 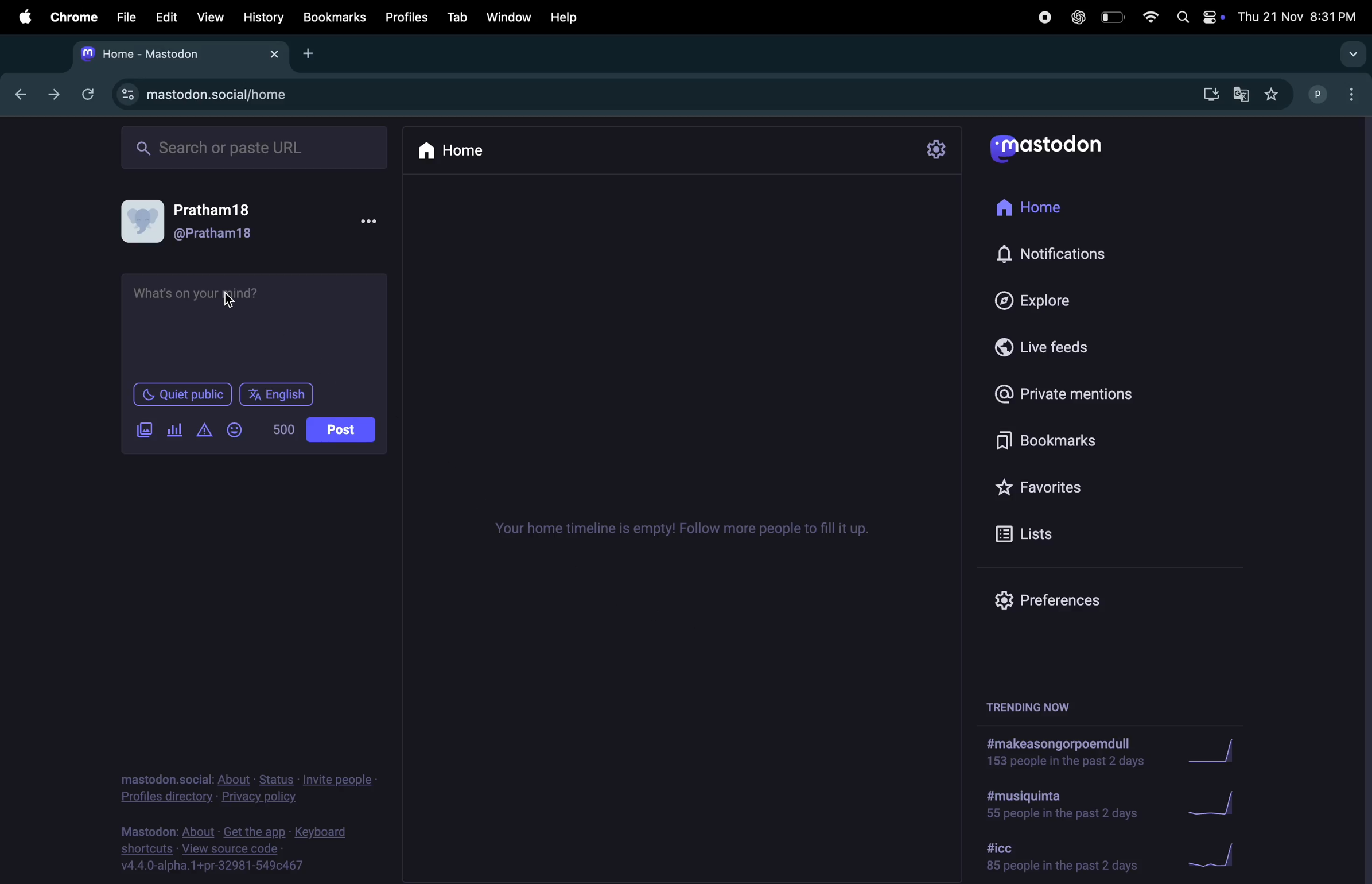 What do you see at coordinates (1210, 858) in the screenshot?
I see `graph` at bounding box center [1210, 858].